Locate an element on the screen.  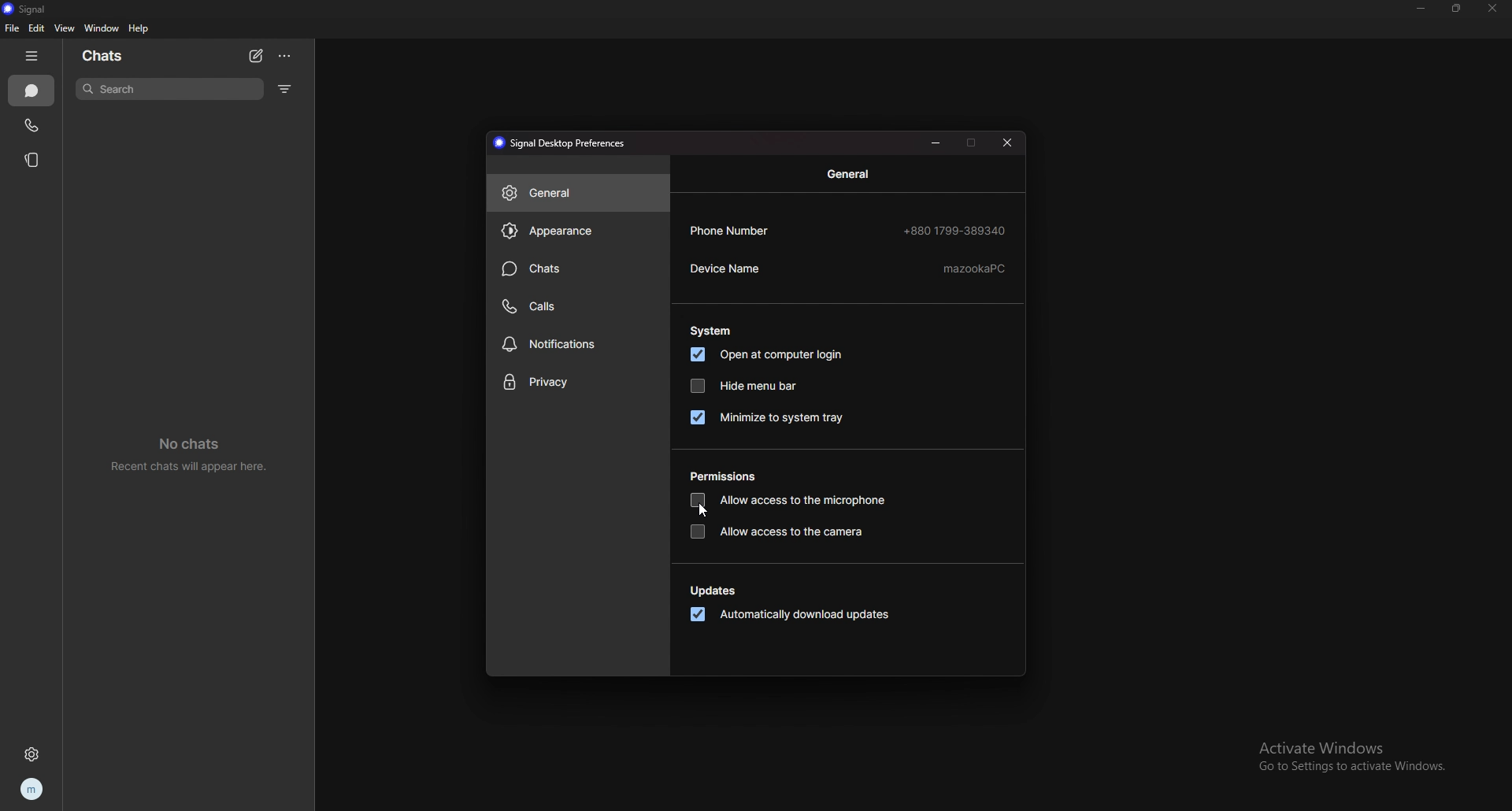
automatically download updates is located at coordinates (789, 614).